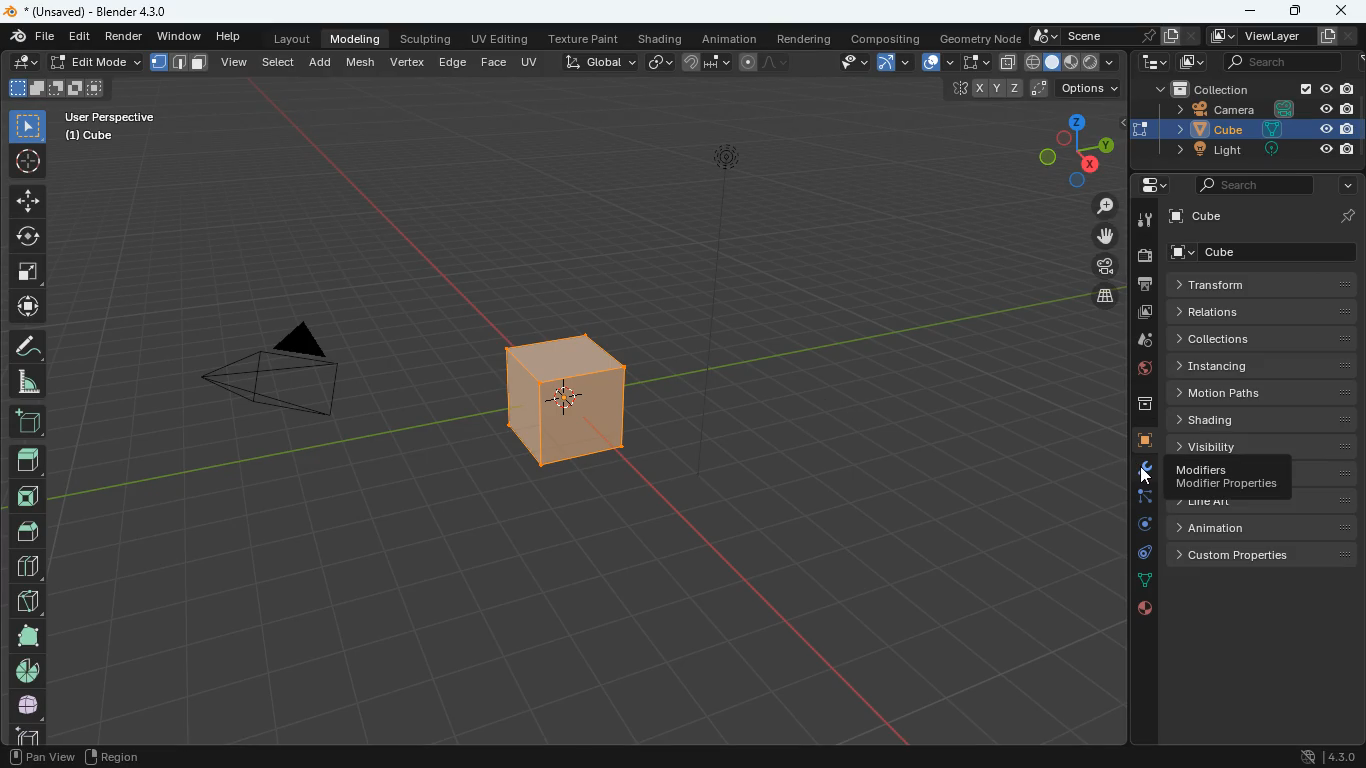 This screenshot has height=768, width=1366. Describe the element at coordinates (1188, 61) in the screenshot. I see `image` at that location.